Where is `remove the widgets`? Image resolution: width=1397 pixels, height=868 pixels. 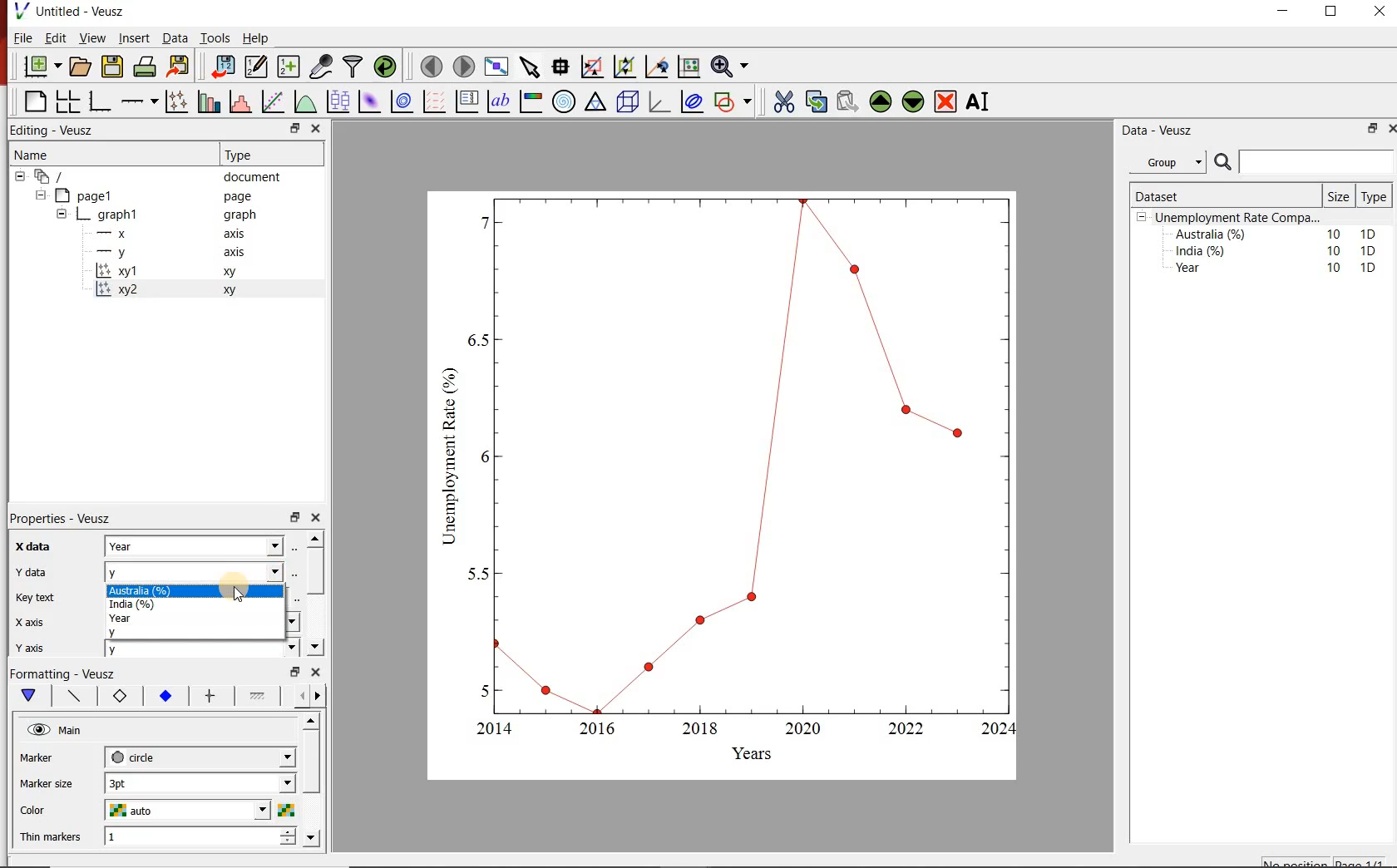 remove the widgets is located at coordinates (945, 101).